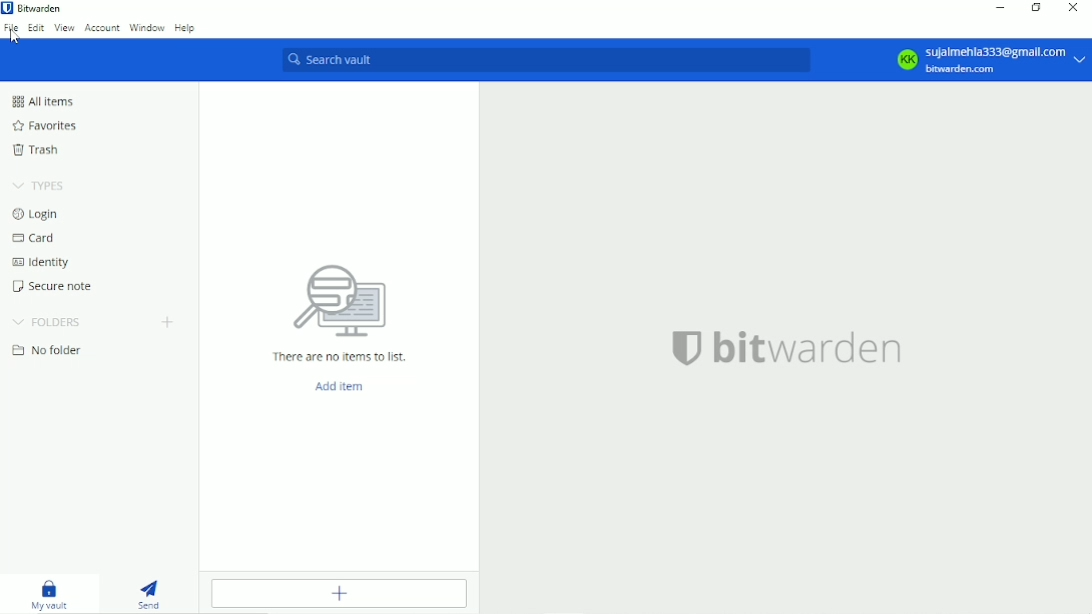  I want to click on There are no items to list., so click(336, 311).